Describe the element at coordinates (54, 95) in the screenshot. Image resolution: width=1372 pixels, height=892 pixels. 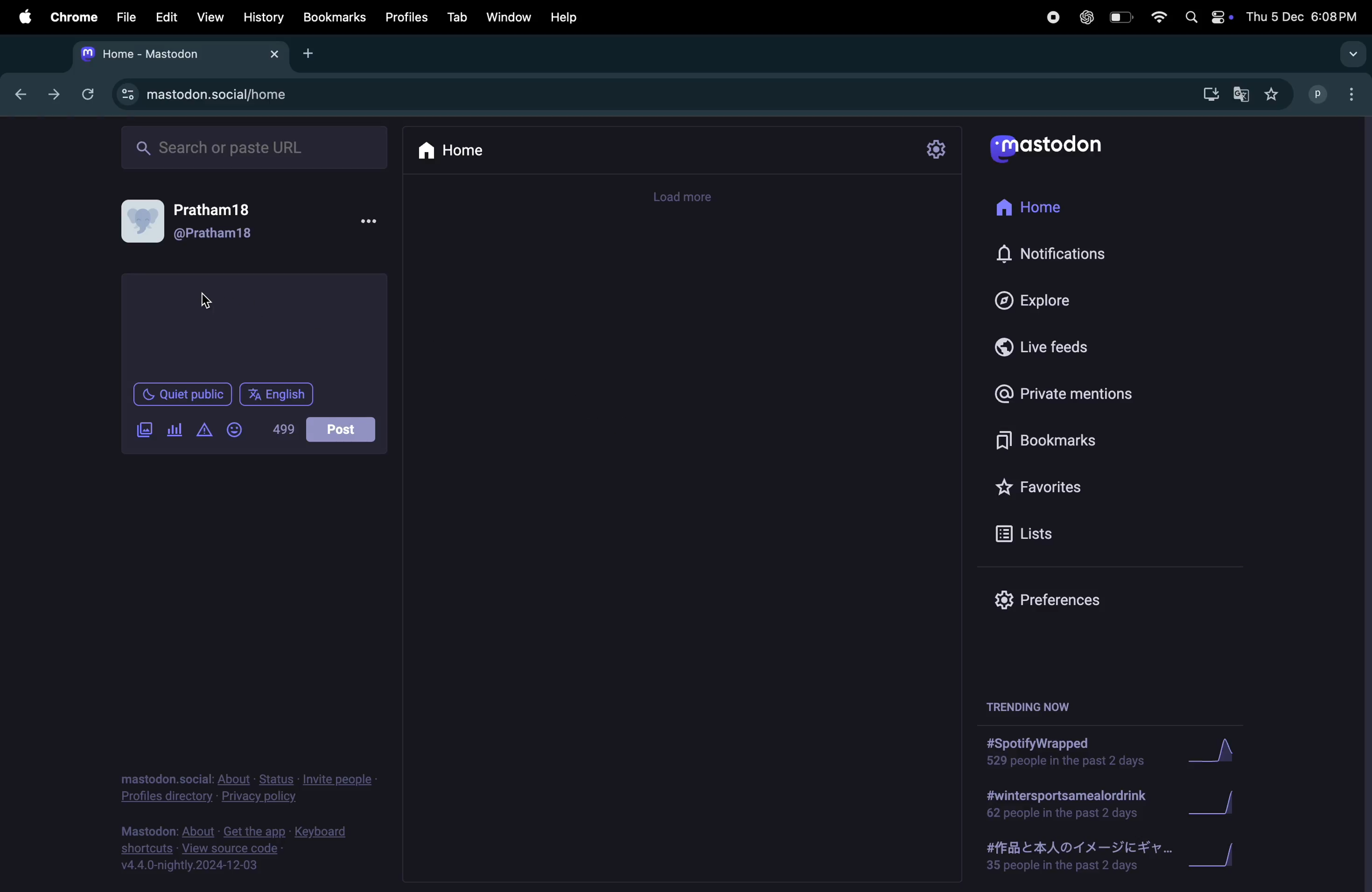
I see `forward` at that location.